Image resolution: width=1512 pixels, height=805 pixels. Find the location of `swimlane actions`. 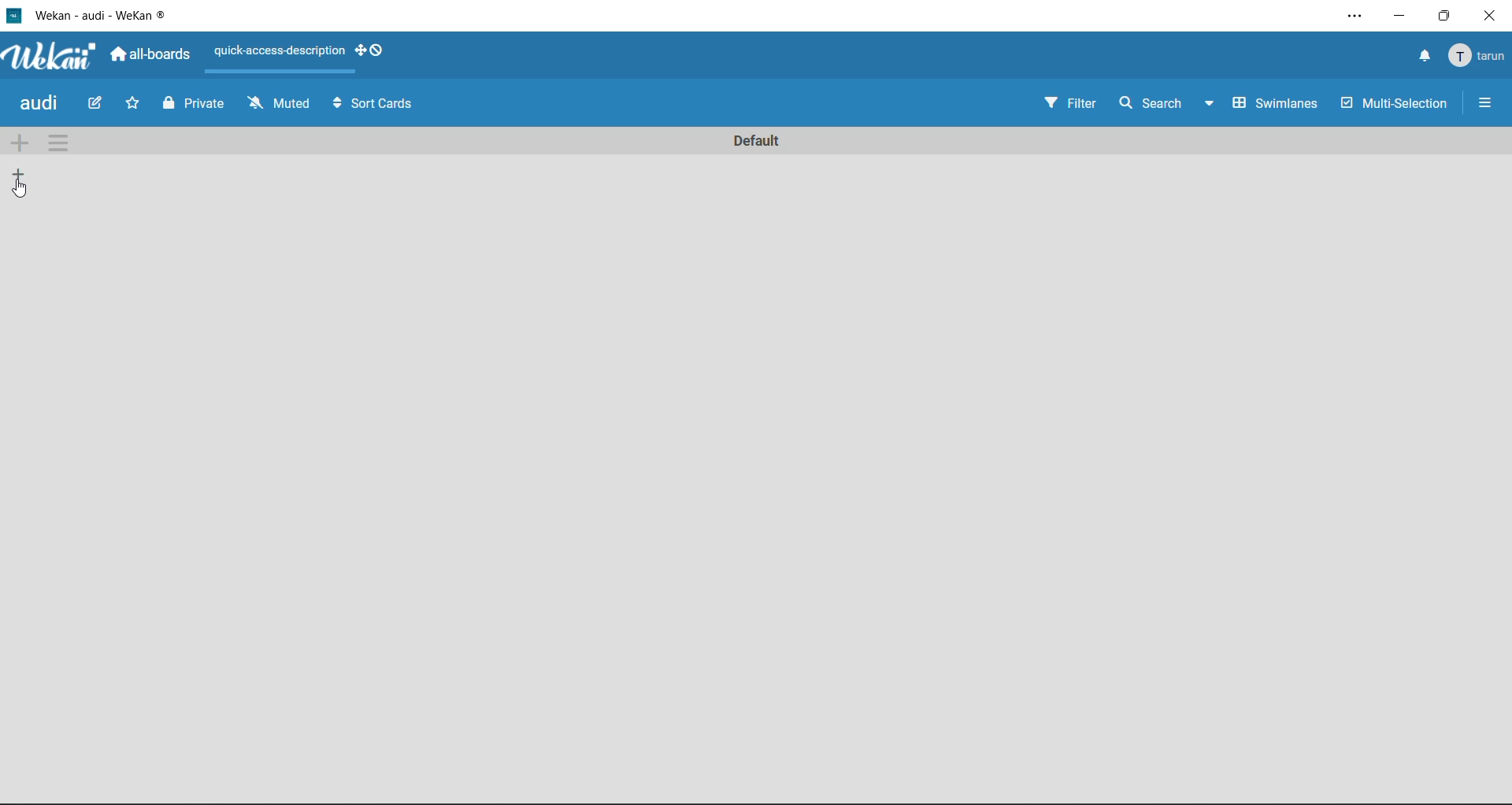

swimlane actions is located at coordinates (59, 144).